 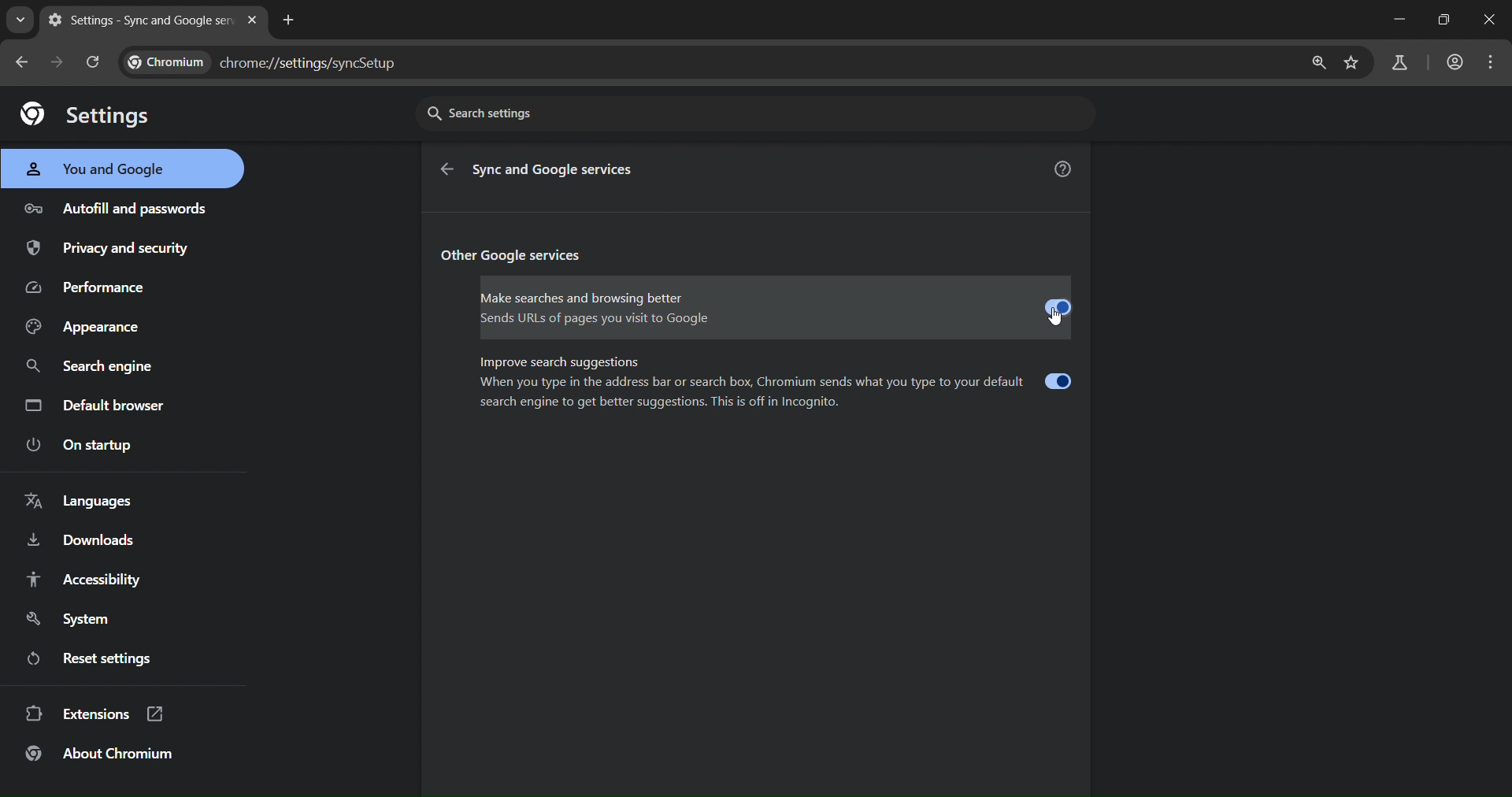 I want to click on Improve search suggestions
When you type in the address bar or search box, Chromium sends what you type to your default
search engine to get better suggestions. This is off in Incognito., so click(x=775, y=383).